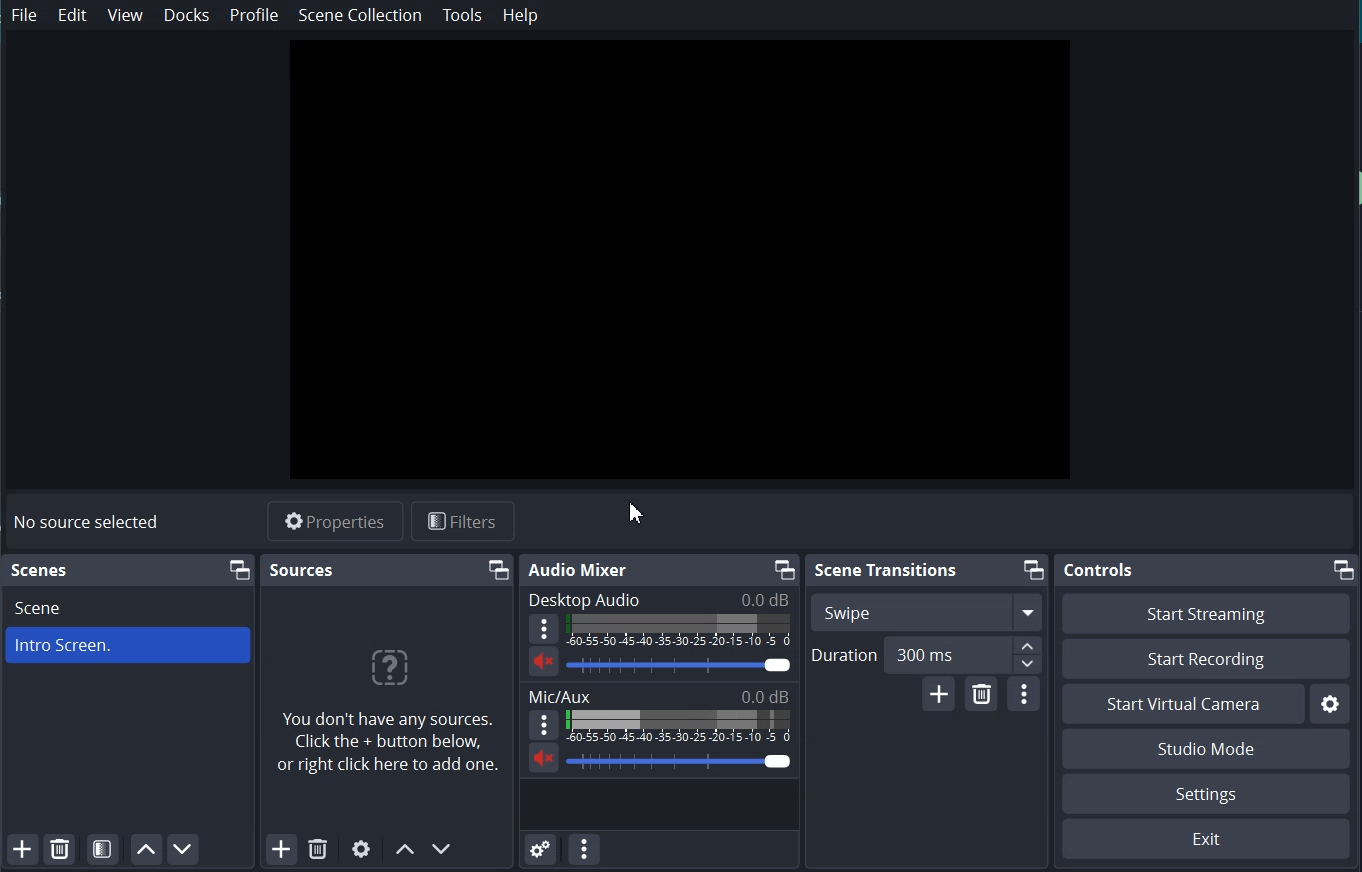 The height and width of the screenshot is (872, 1362). What do you see at coordinates (680, 664) in the screenshot?
I see `Volume Adjuster` at bounding box center [680, 664].